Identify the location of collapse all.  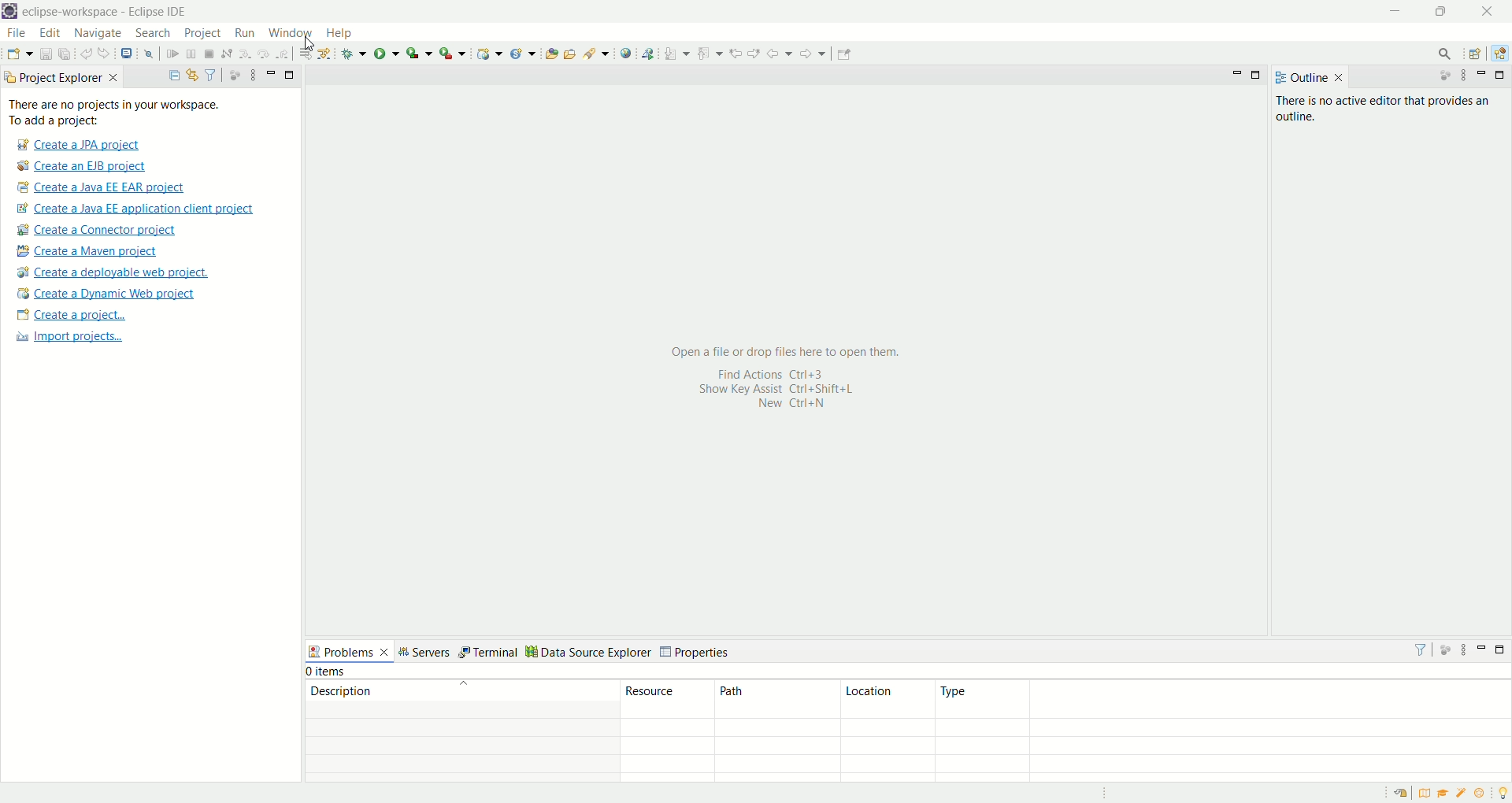
(172, 73).